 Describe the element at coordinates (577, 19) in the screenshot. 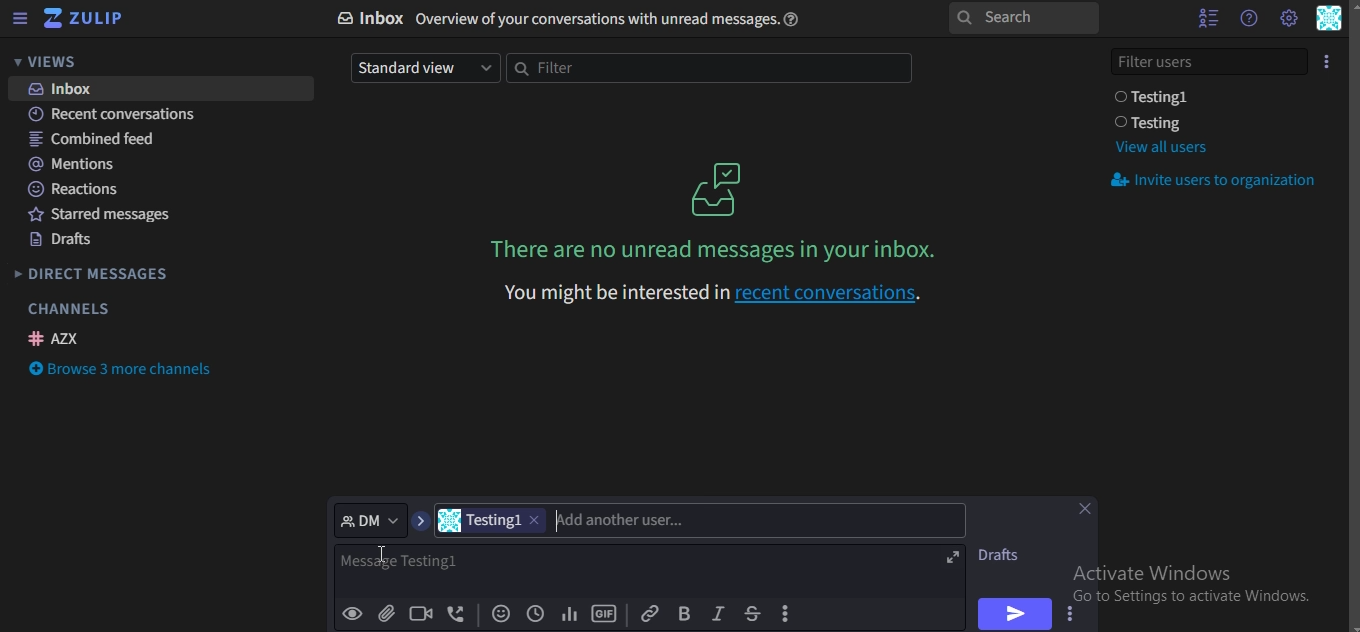

I see `inbox` at that location.